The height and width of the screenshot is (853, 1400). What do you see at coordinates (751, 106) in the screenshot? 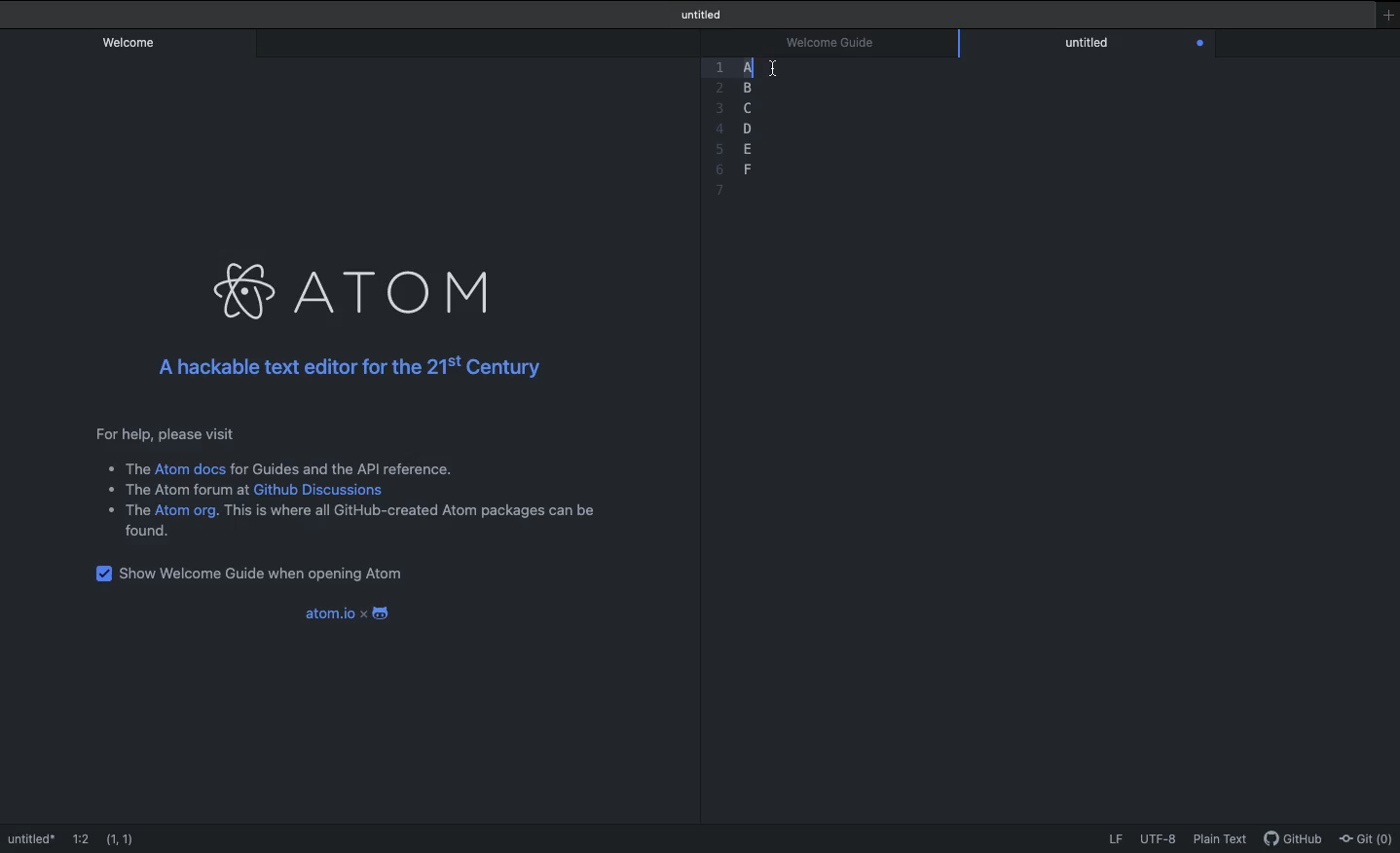
I see `c` at bounding box center [751, 106].